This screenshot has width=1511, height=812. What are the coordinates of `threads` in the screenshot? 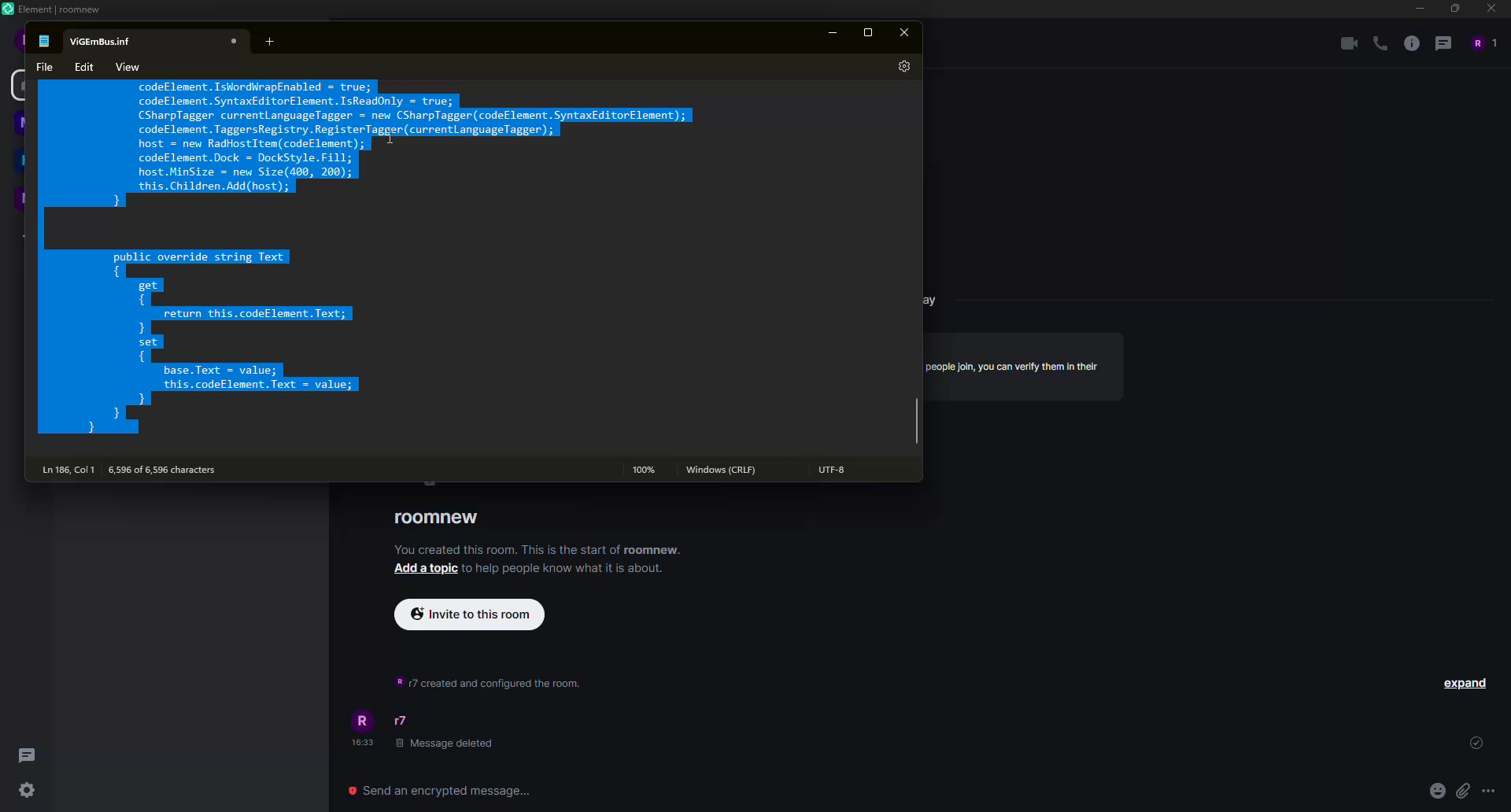 It's located at (25, 754).